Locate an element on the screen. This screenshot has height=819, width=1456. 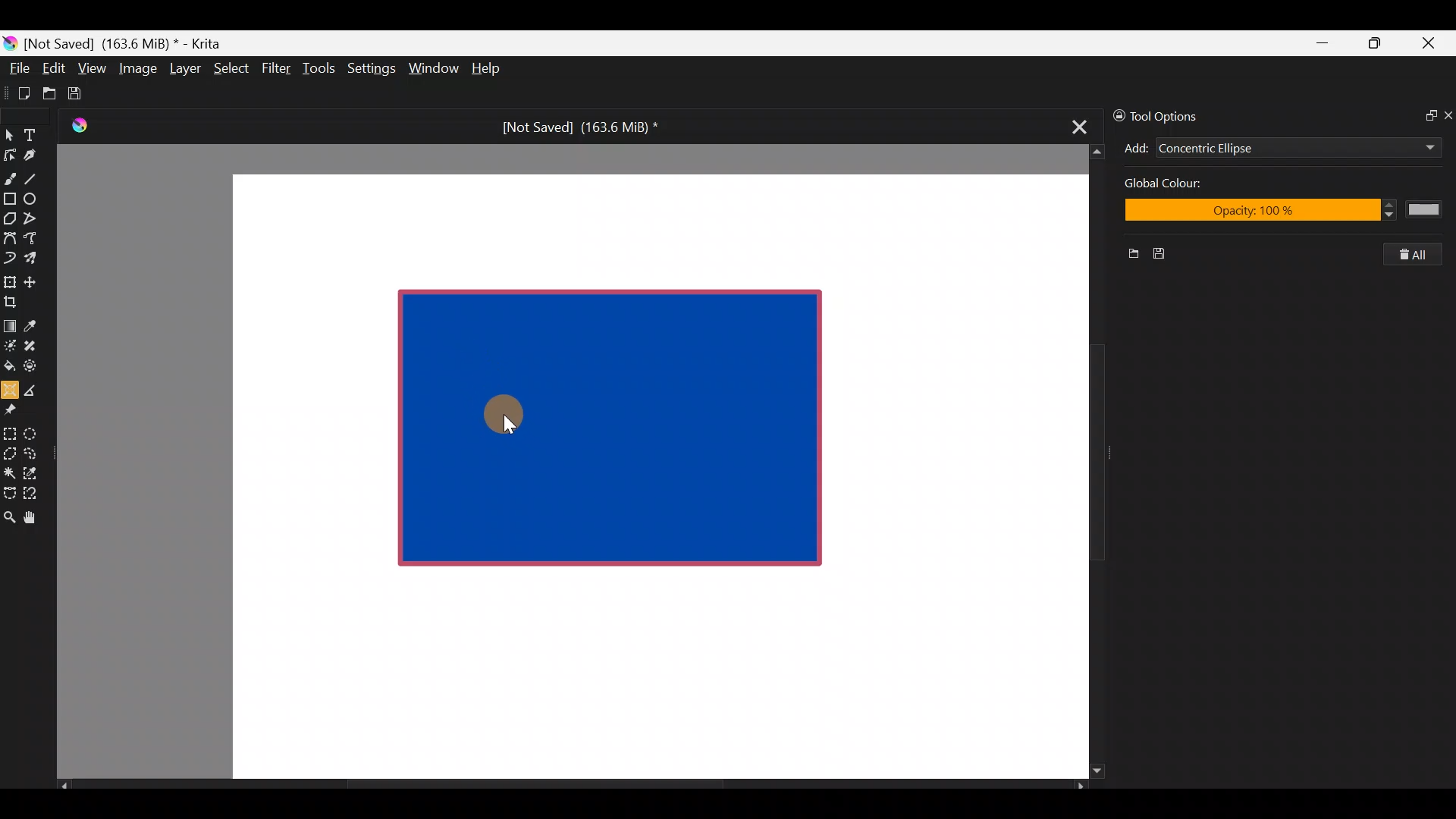
Similar color selection tool is located at coordinates (33, 472).